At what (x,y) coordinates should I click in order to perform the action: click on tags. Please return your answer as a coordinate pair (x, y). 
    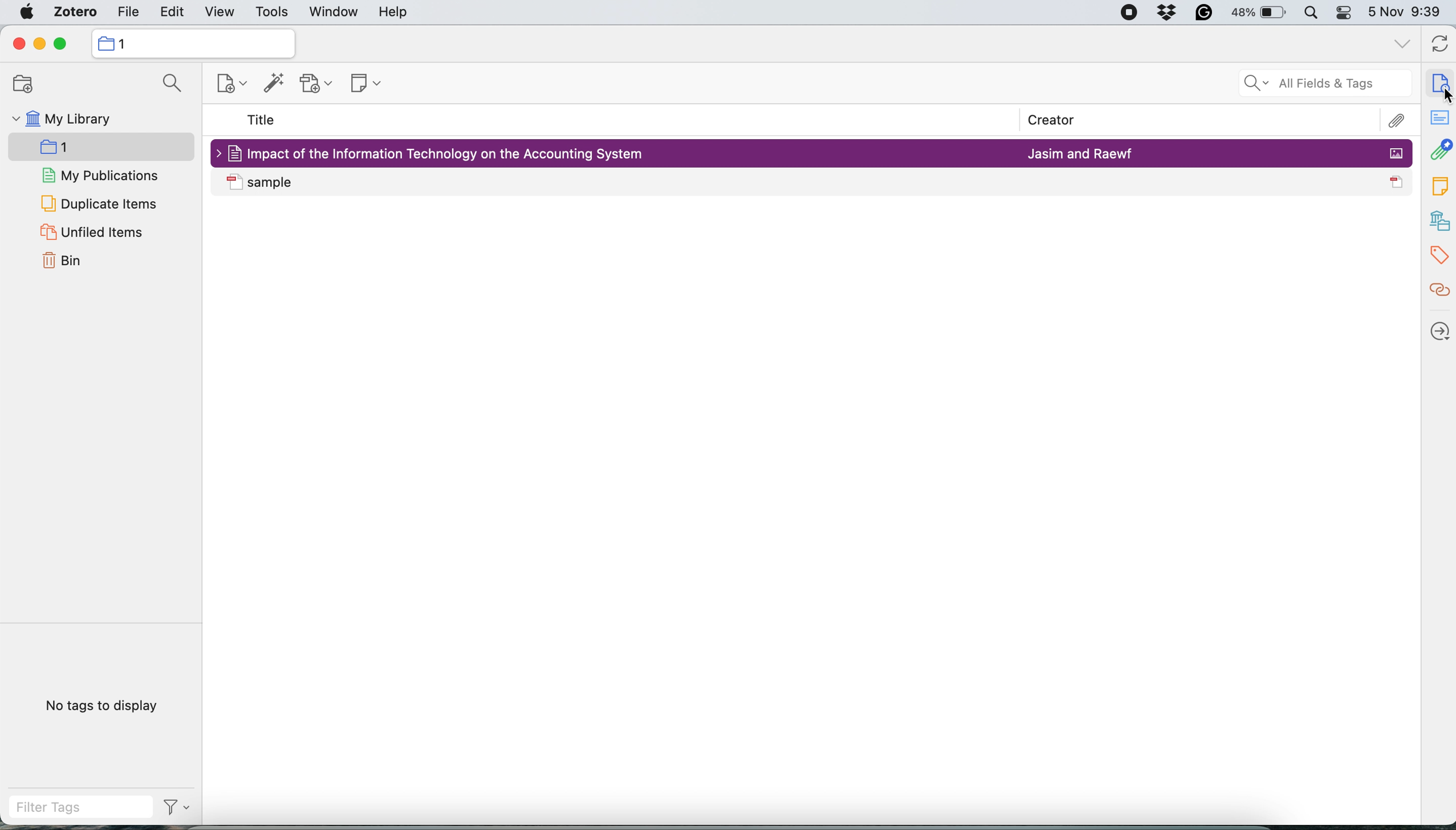
    Looking at the image, I should click on (1439, 254).